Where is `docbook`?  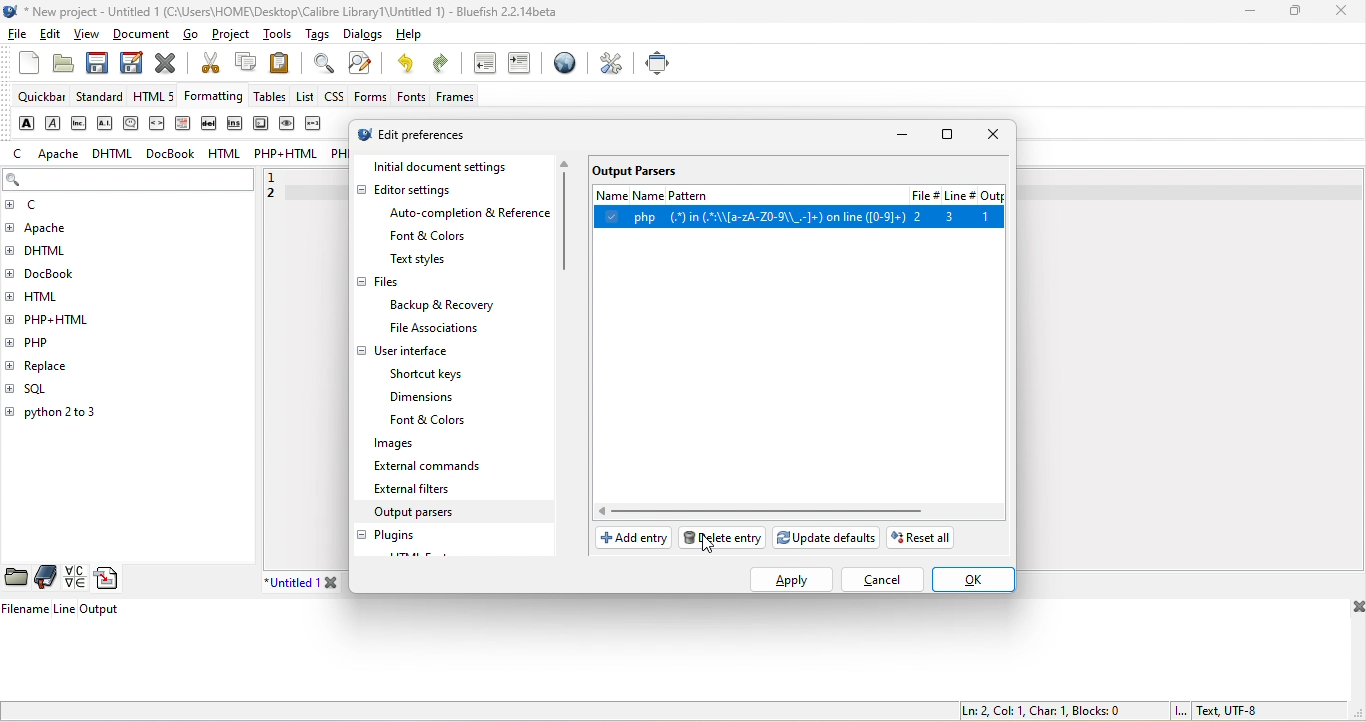 docbook is located at coordinates (174, 154).